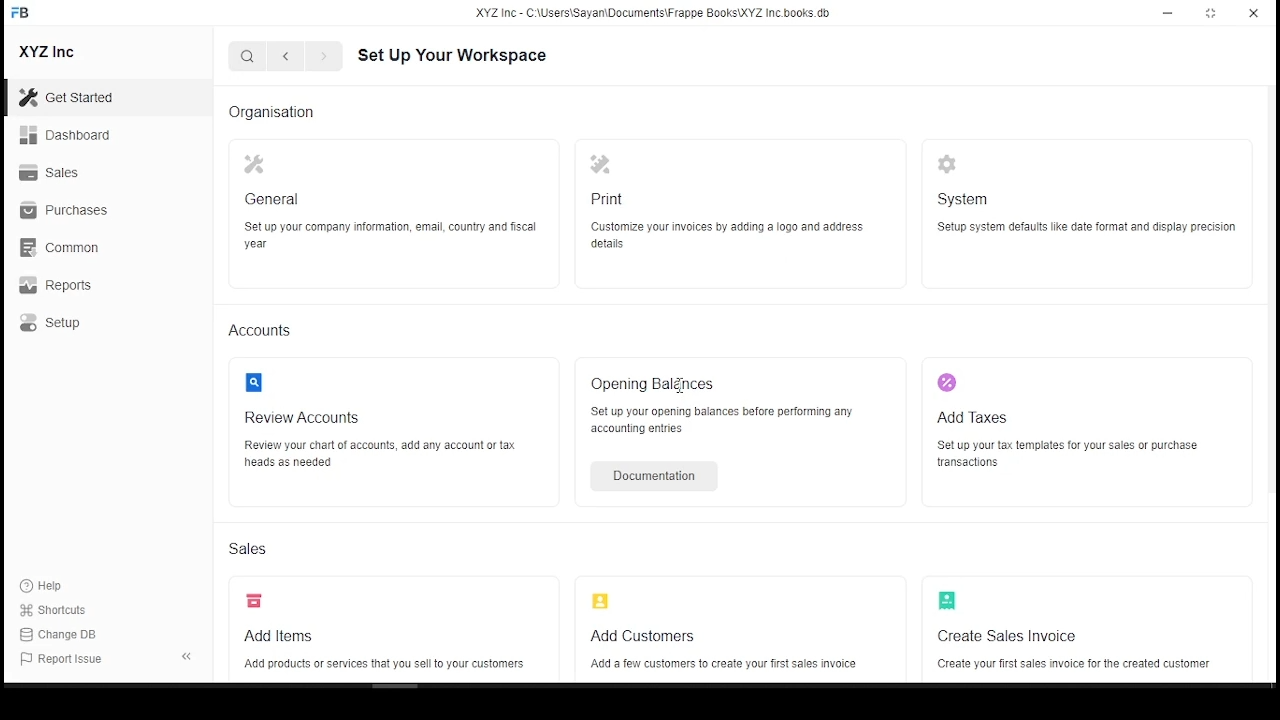  What do you see at coordinates (186, 656) in the screenshot?
I see `close pane` at bounding box center [186, 656].